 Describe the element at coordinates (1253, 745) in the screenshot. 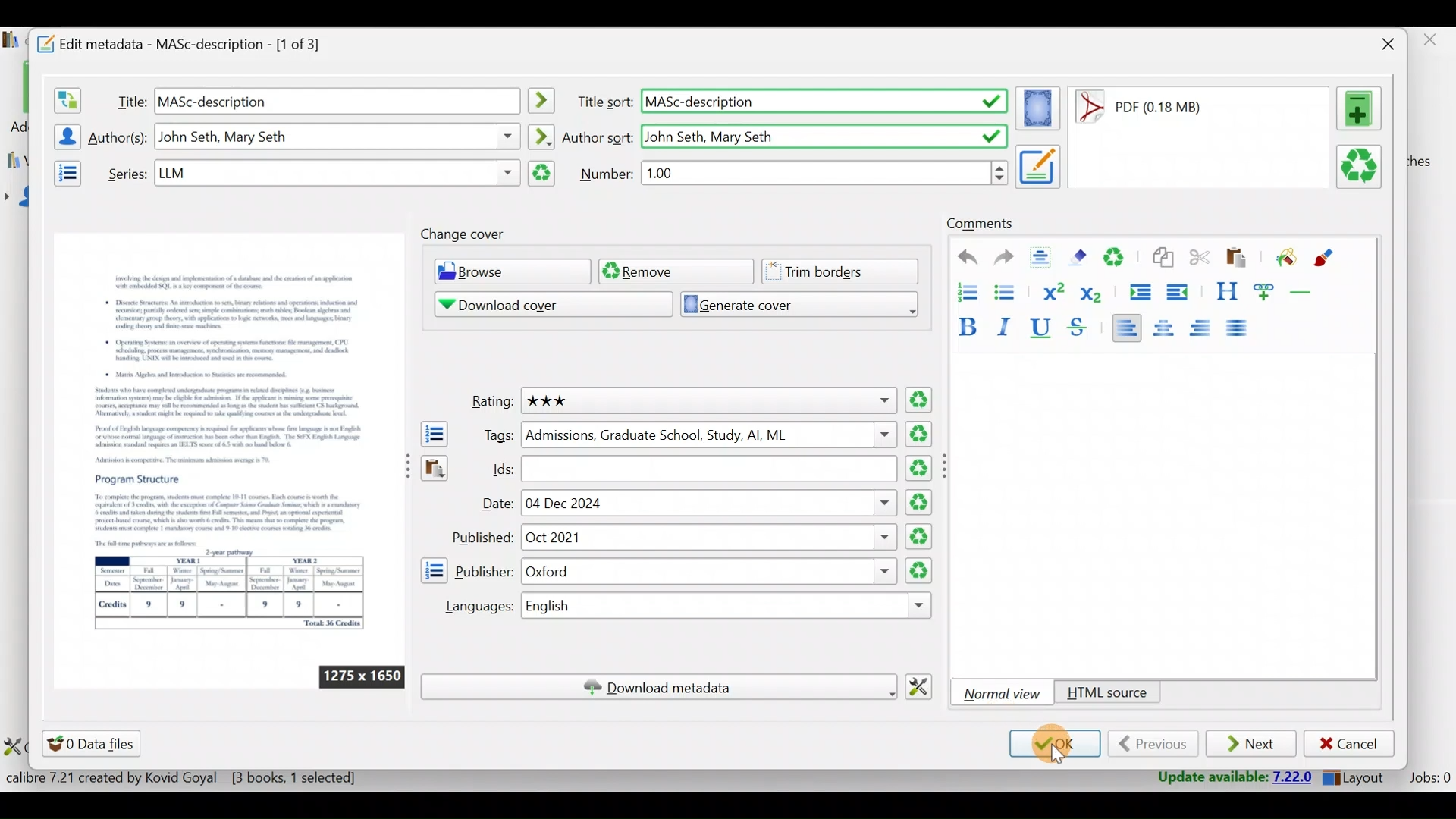

I see `Next` at that location.